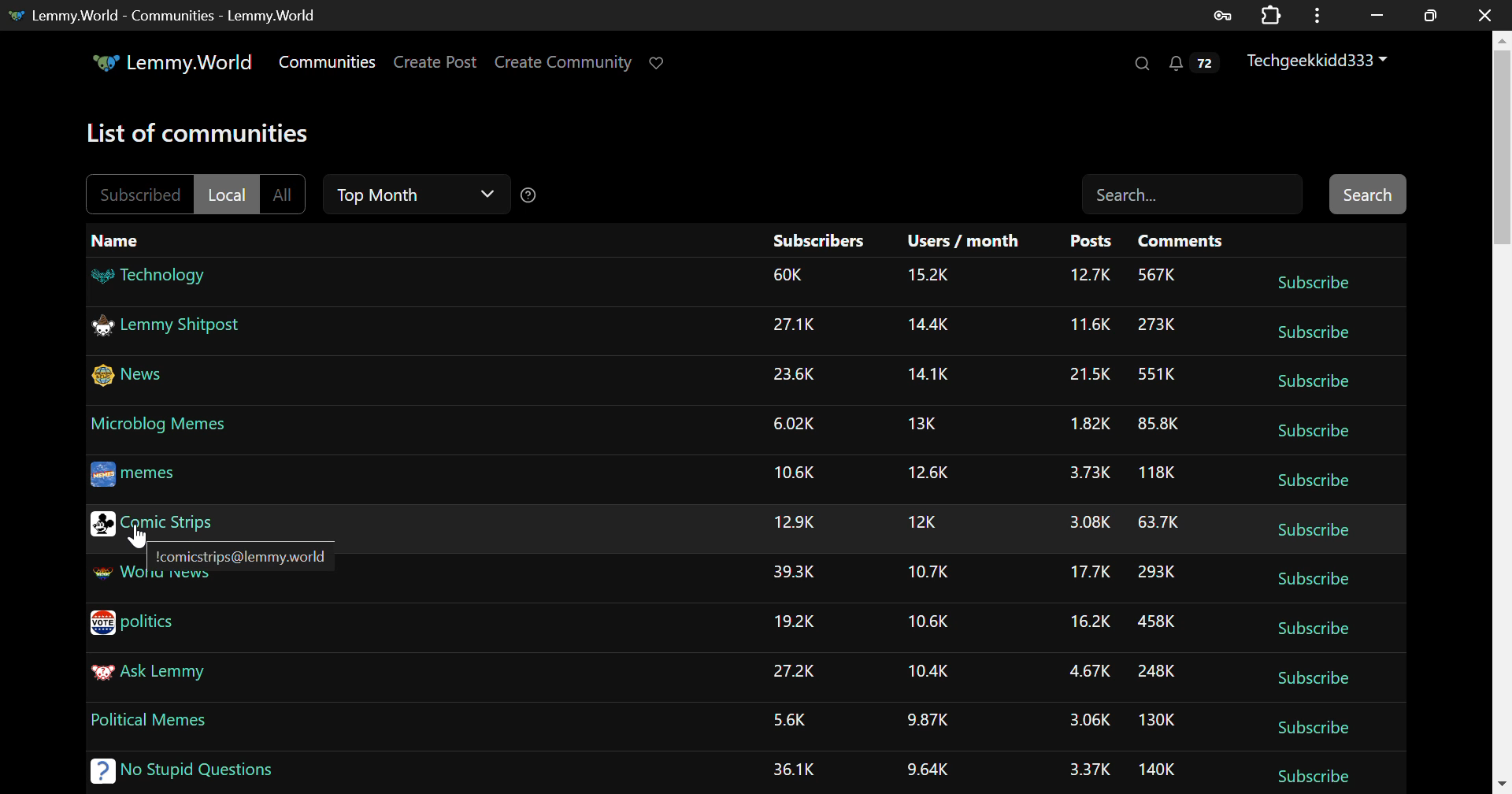 The height and width of the screenshot is (794, 1512). What do you see at coordinates (1085, 673) in the screenshot?
I see `Amount` at bounding box center [1085, 673].